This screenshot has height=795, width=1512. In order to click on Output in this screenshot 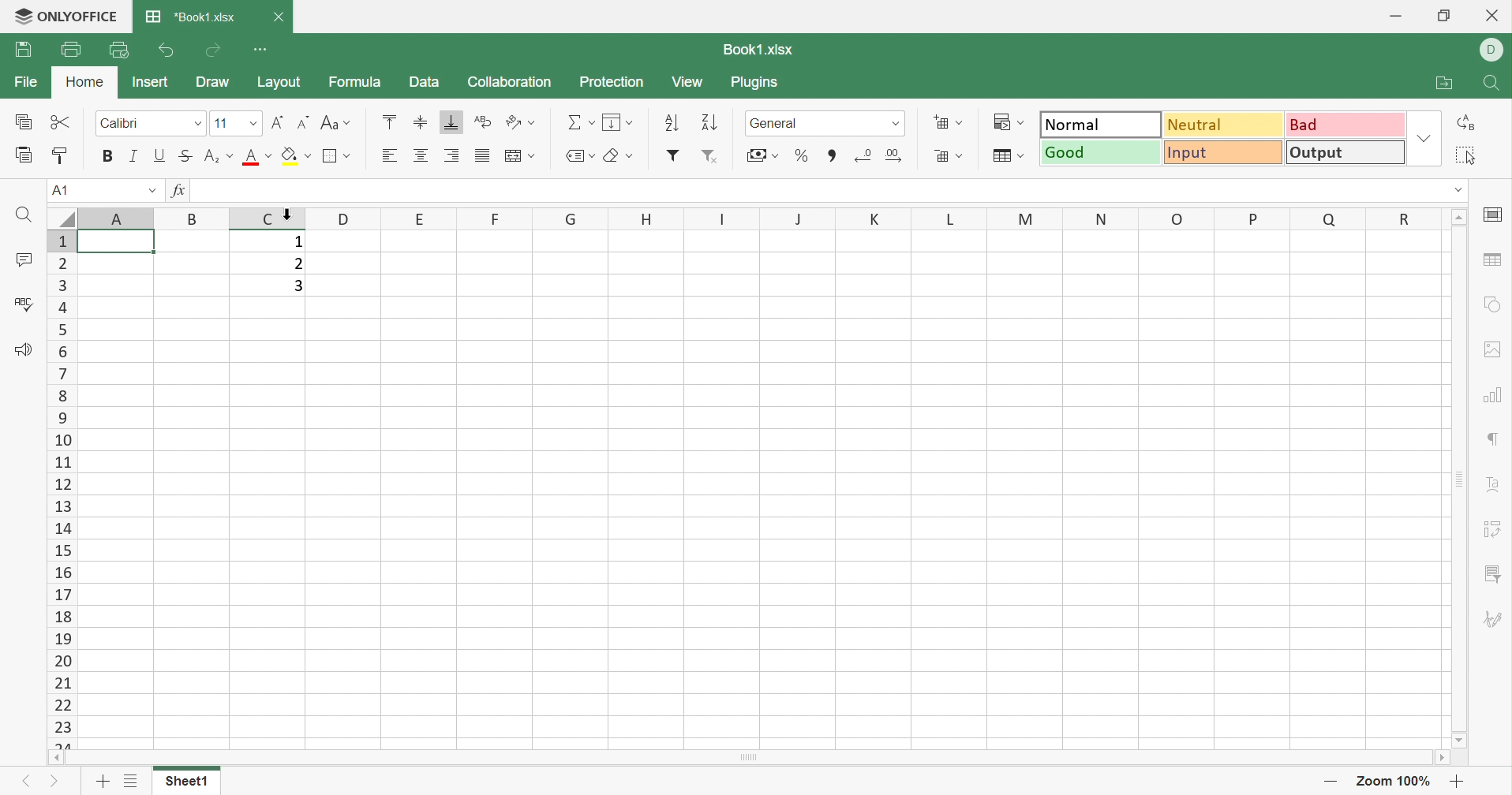, I will do `click(1347, 154)`.